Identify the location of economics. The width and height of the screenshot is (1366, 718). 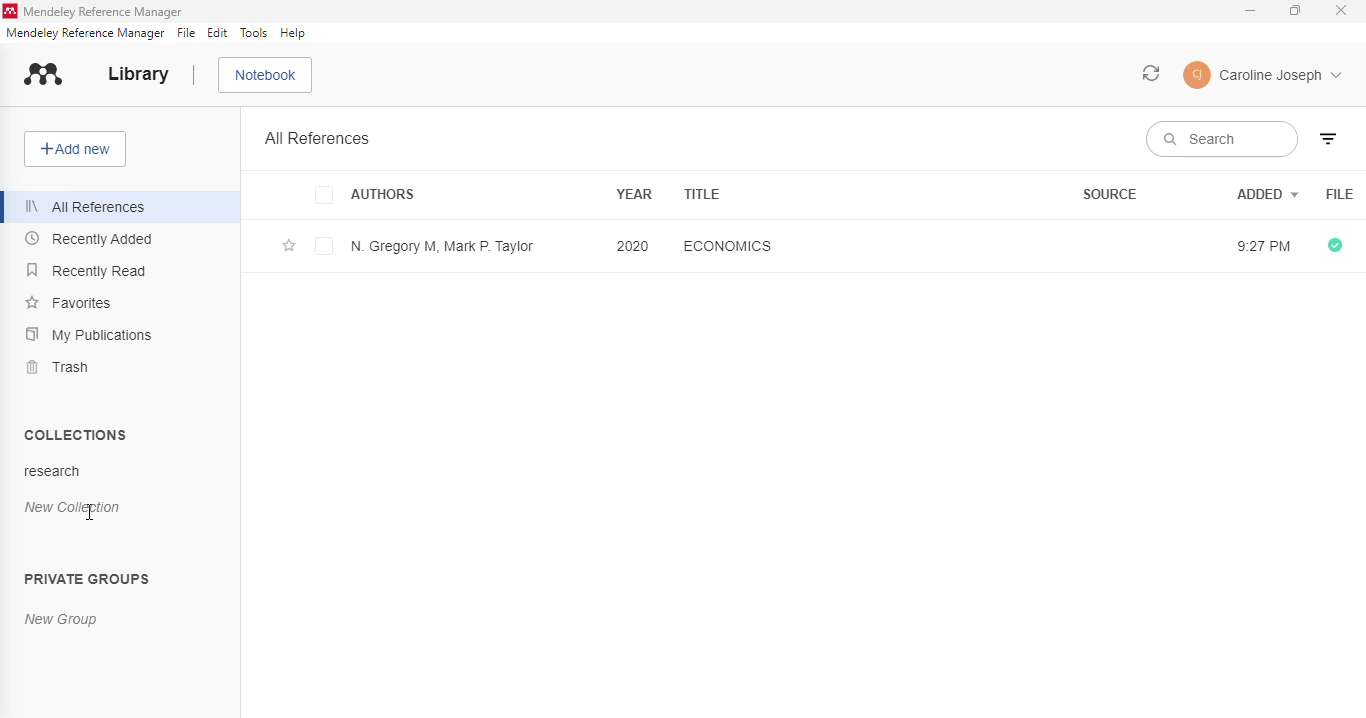
(727, 245).